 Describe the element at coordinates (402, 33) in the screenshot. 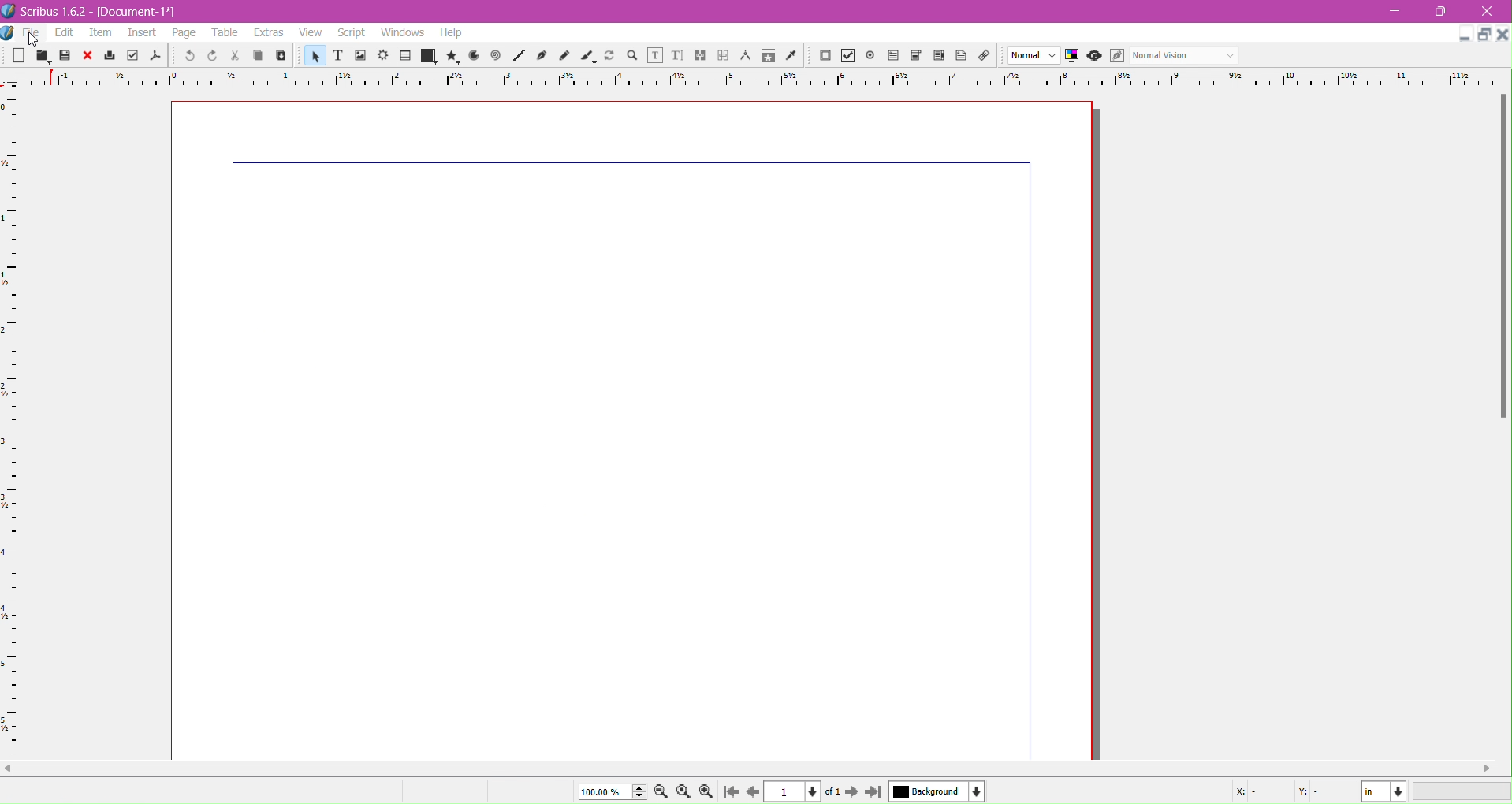

I see `windows menu` at that location.